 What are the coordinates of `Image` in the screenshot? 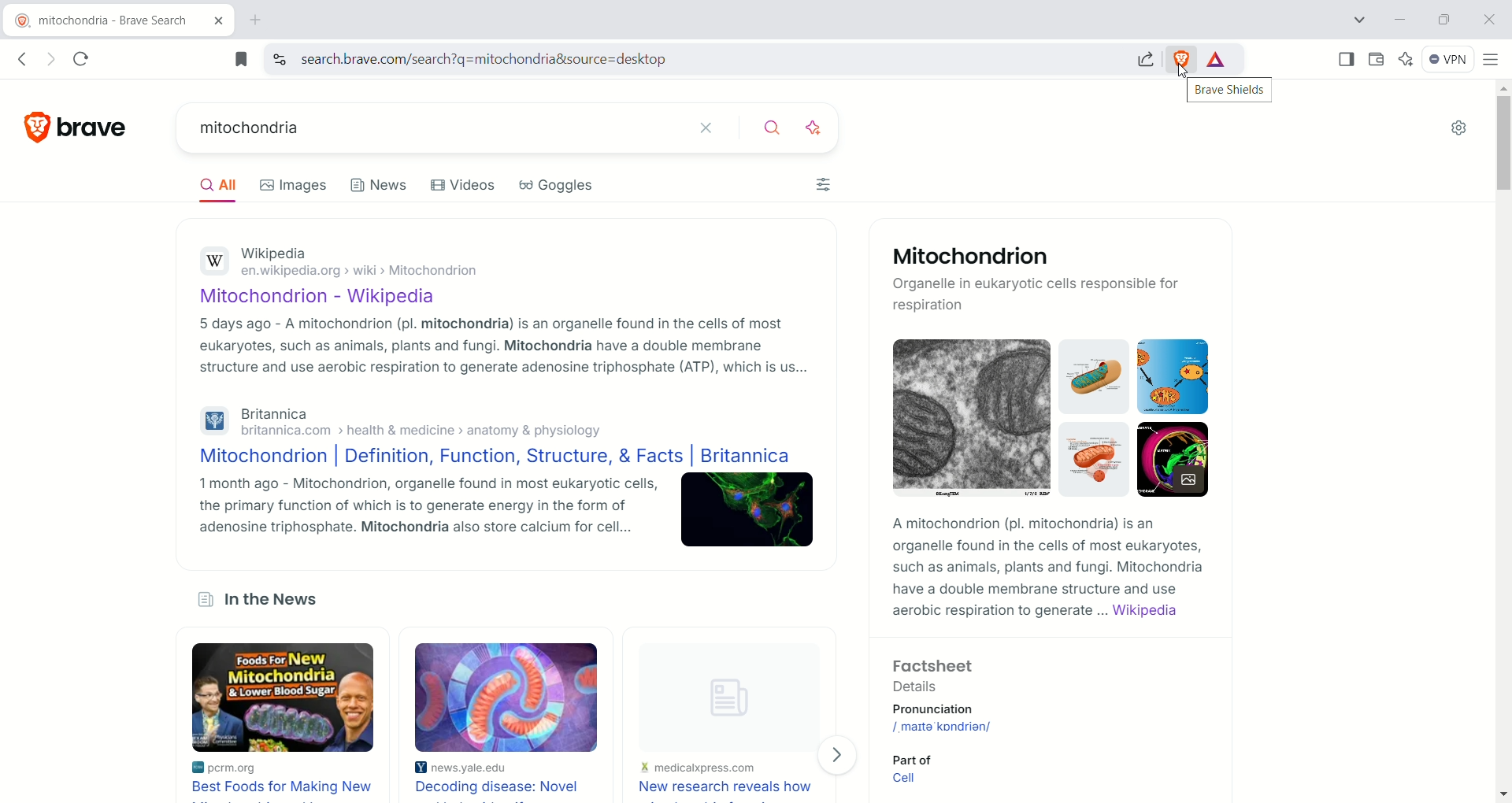 It's located at (1095, 460).